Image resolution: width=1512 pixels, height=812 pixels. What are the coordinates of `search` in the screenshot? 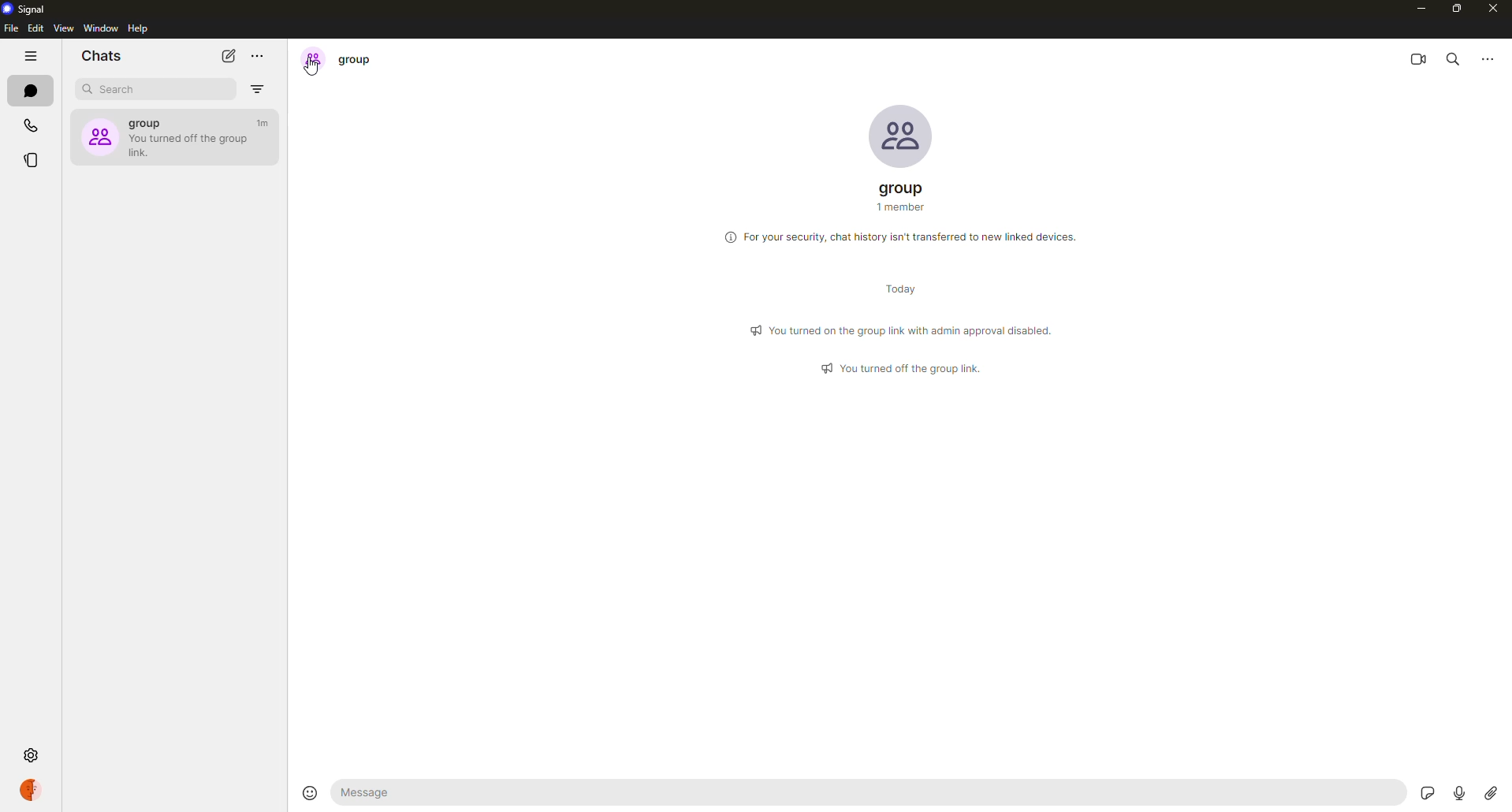 It's located at (121, 89).